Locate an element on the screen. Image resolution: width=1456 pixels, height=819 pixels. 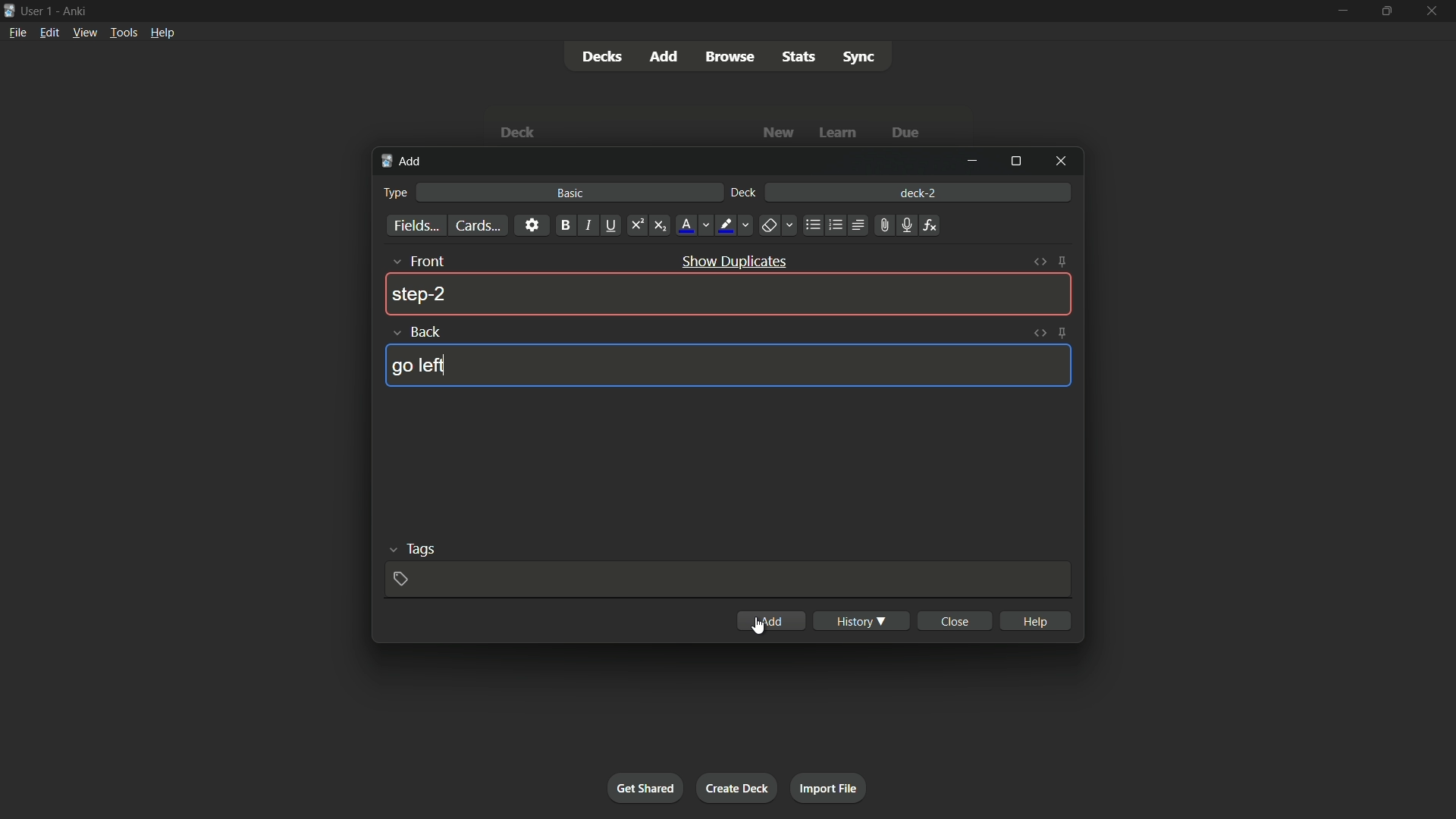
bold is located at coordinates (564, 225).